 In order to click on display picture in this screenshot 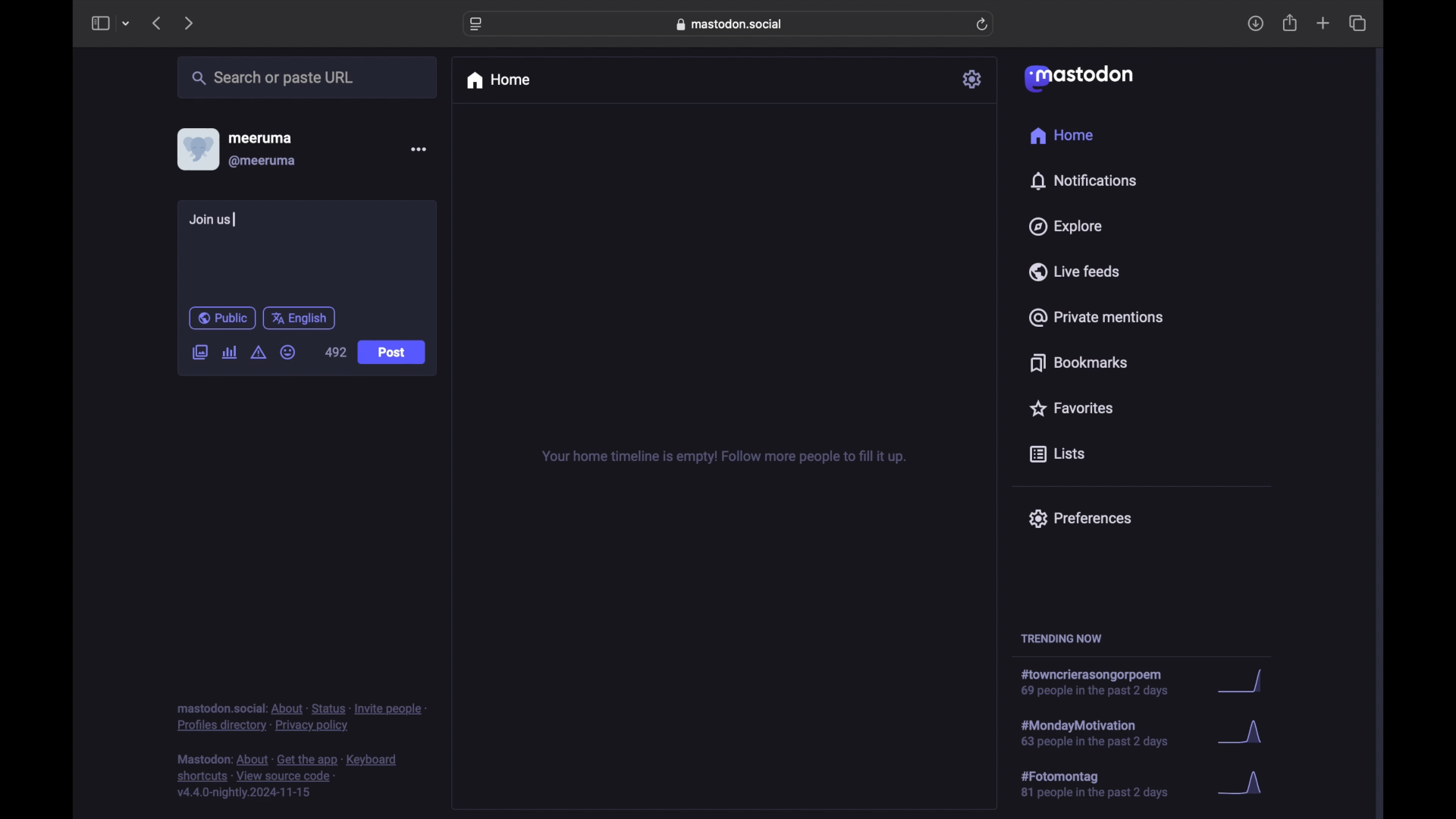, I will do `click(196, 149)`.